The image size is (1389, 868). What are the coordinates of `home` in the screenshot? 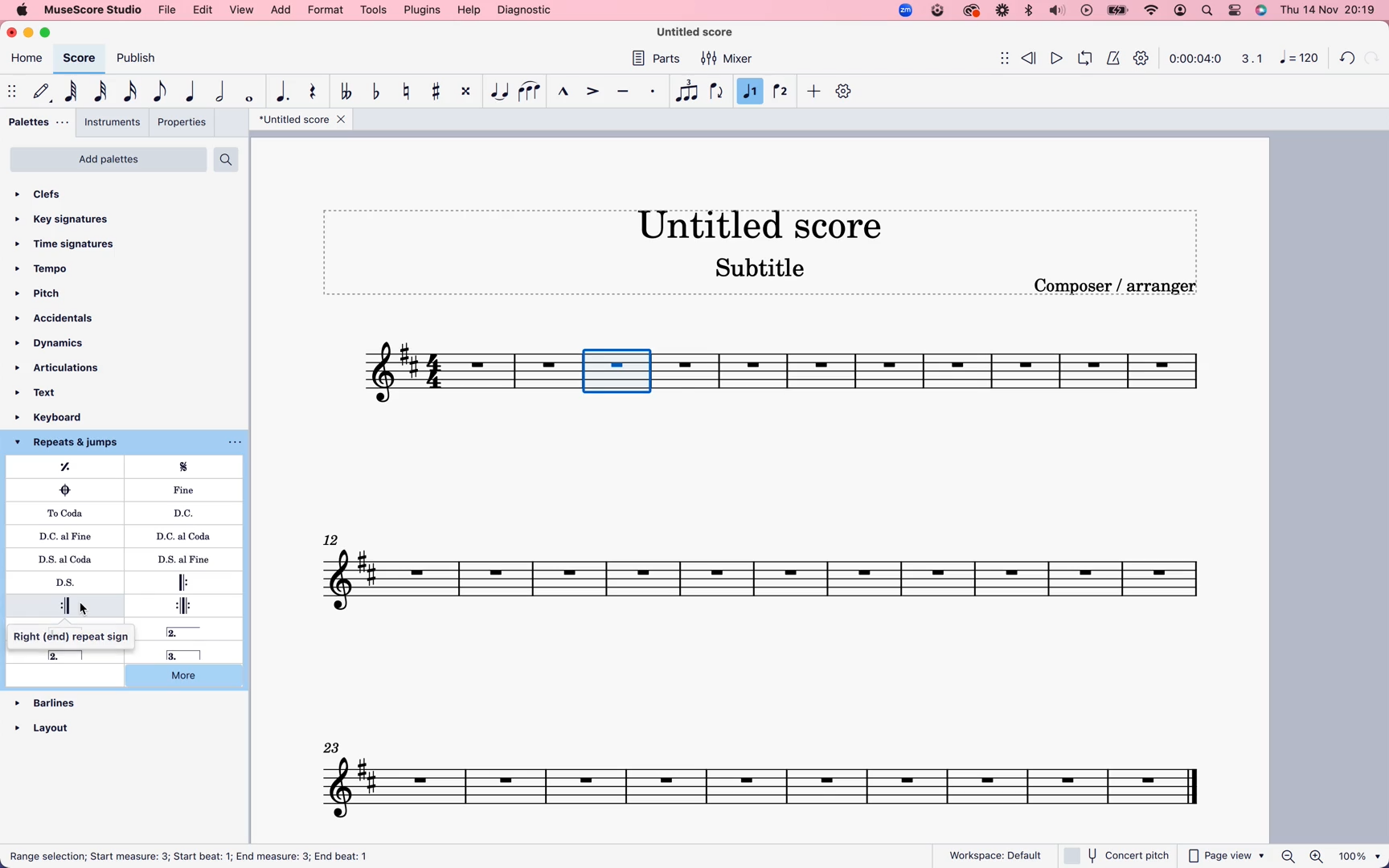 It's located at (27, 60).